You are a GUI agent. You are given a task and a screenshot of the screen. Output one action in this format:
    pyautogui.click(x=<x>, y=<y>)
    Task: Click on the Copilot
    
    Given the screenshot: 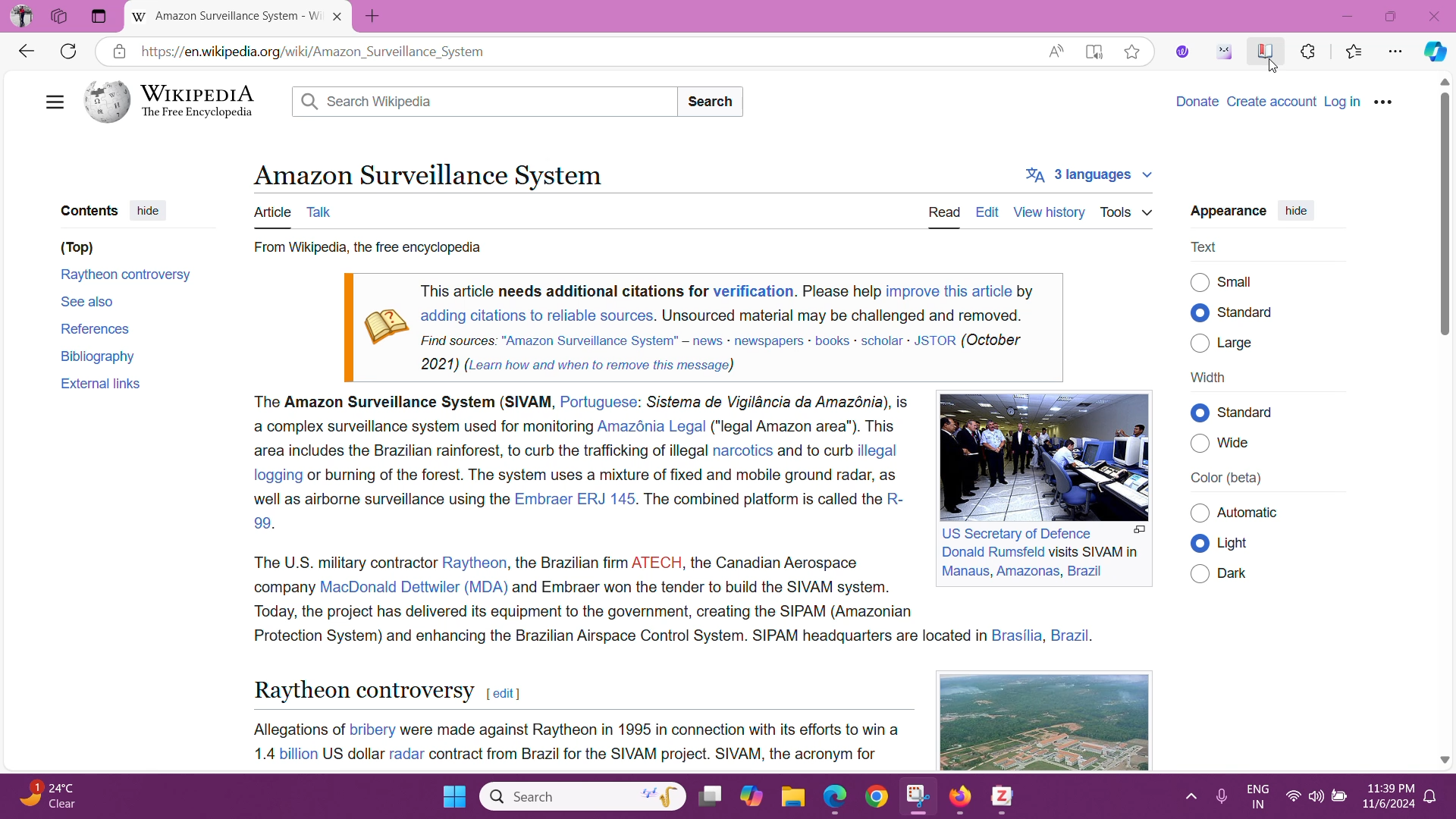 What is the action you would take?
    pyautogui.click(x=1433, y=52)
    